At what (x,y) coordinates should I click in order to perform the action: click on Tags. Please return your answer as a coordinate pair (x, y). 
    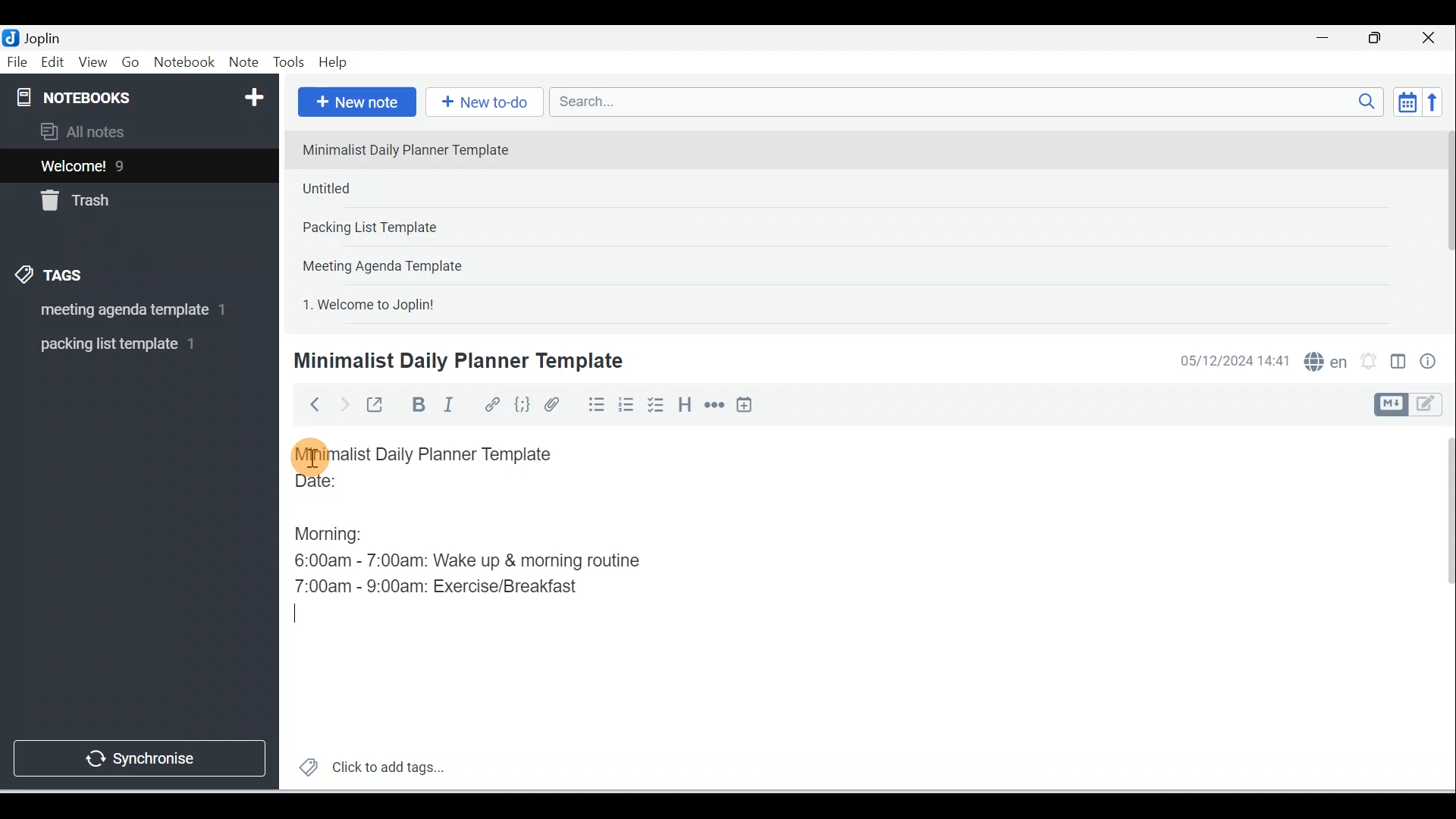
    Looking at the image, I should click on (54, 278).